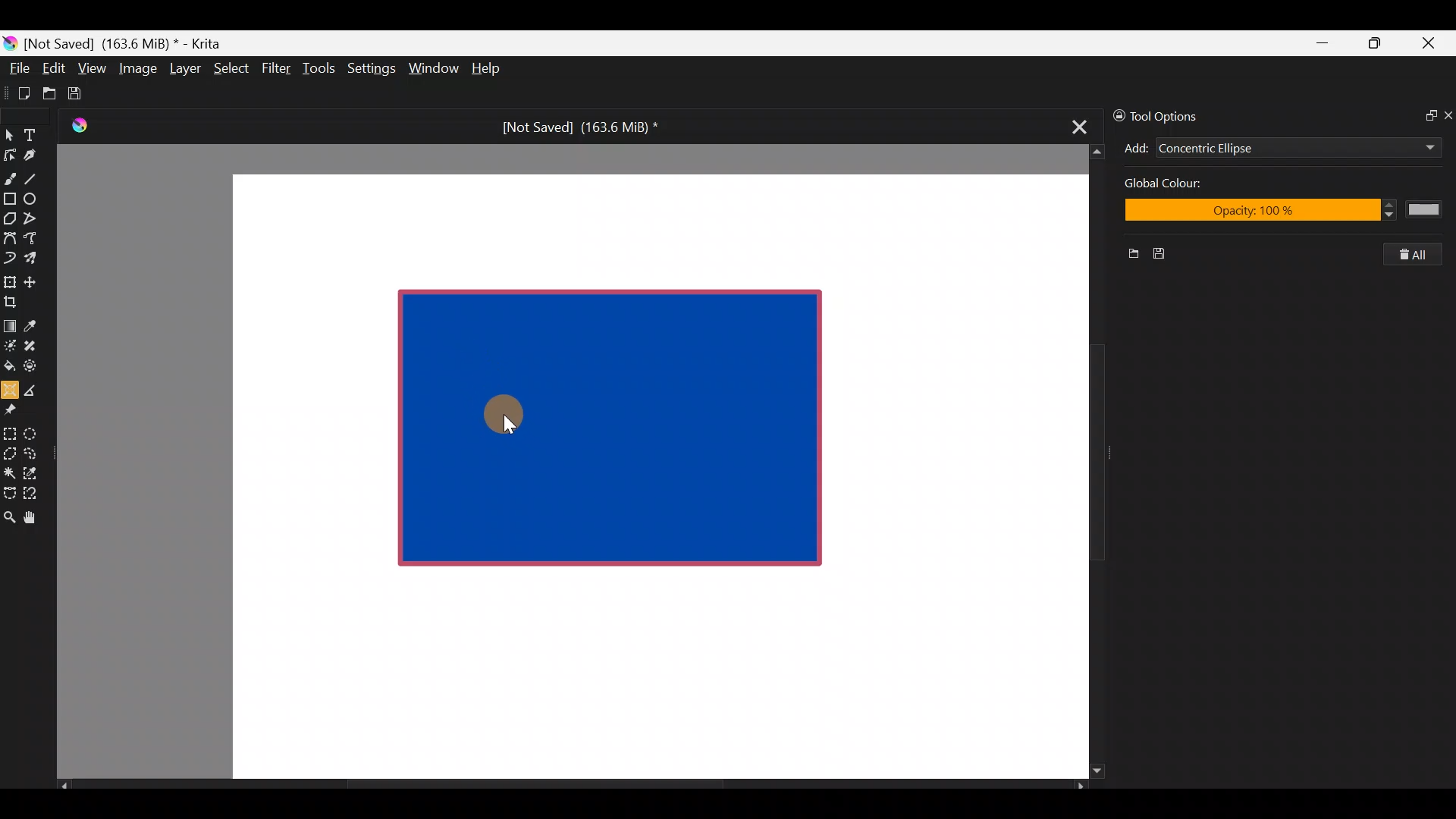 This screenshot has height=819, width=1456. Describe the element at coordinates (322, 69) in the screenshot. I see `Tools` at that location.